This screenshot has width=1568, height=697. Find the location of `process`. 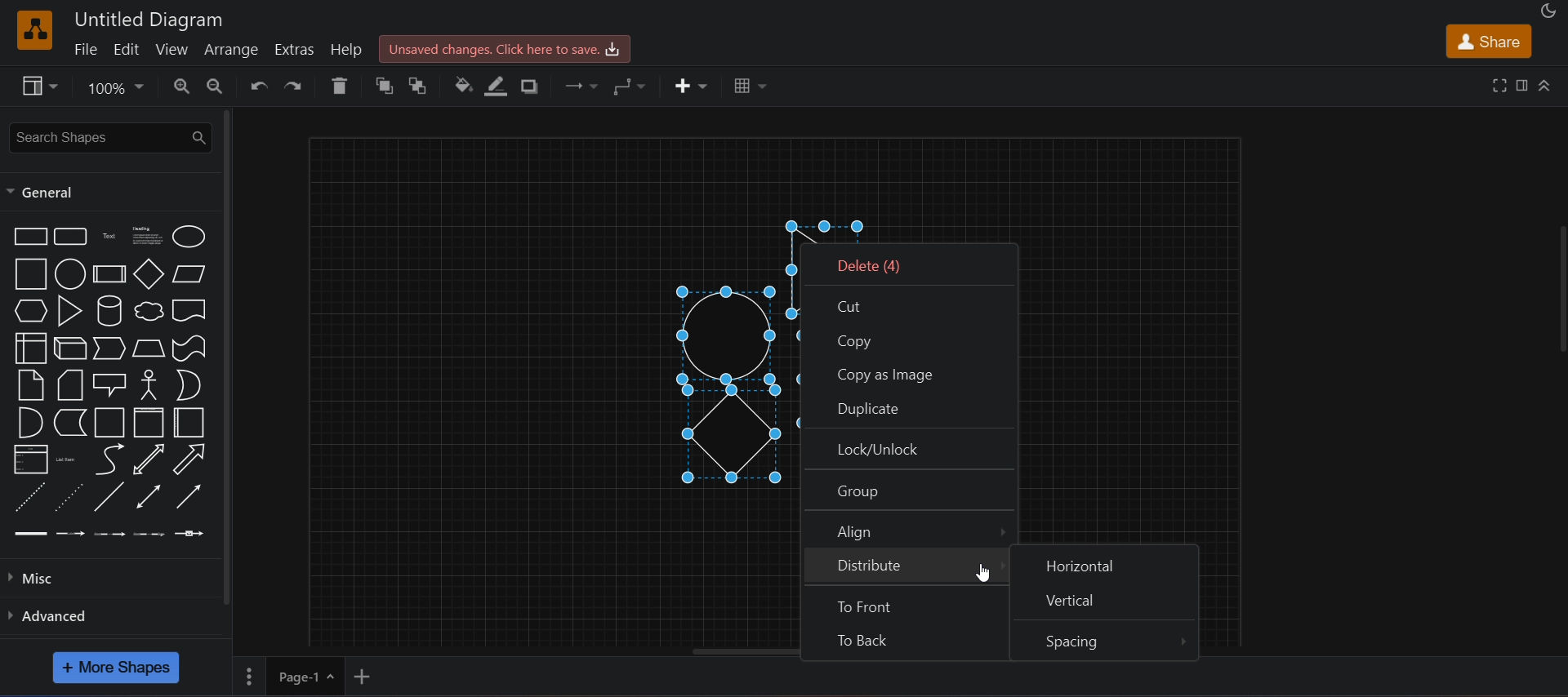

process is located at coordinates (109, 273).